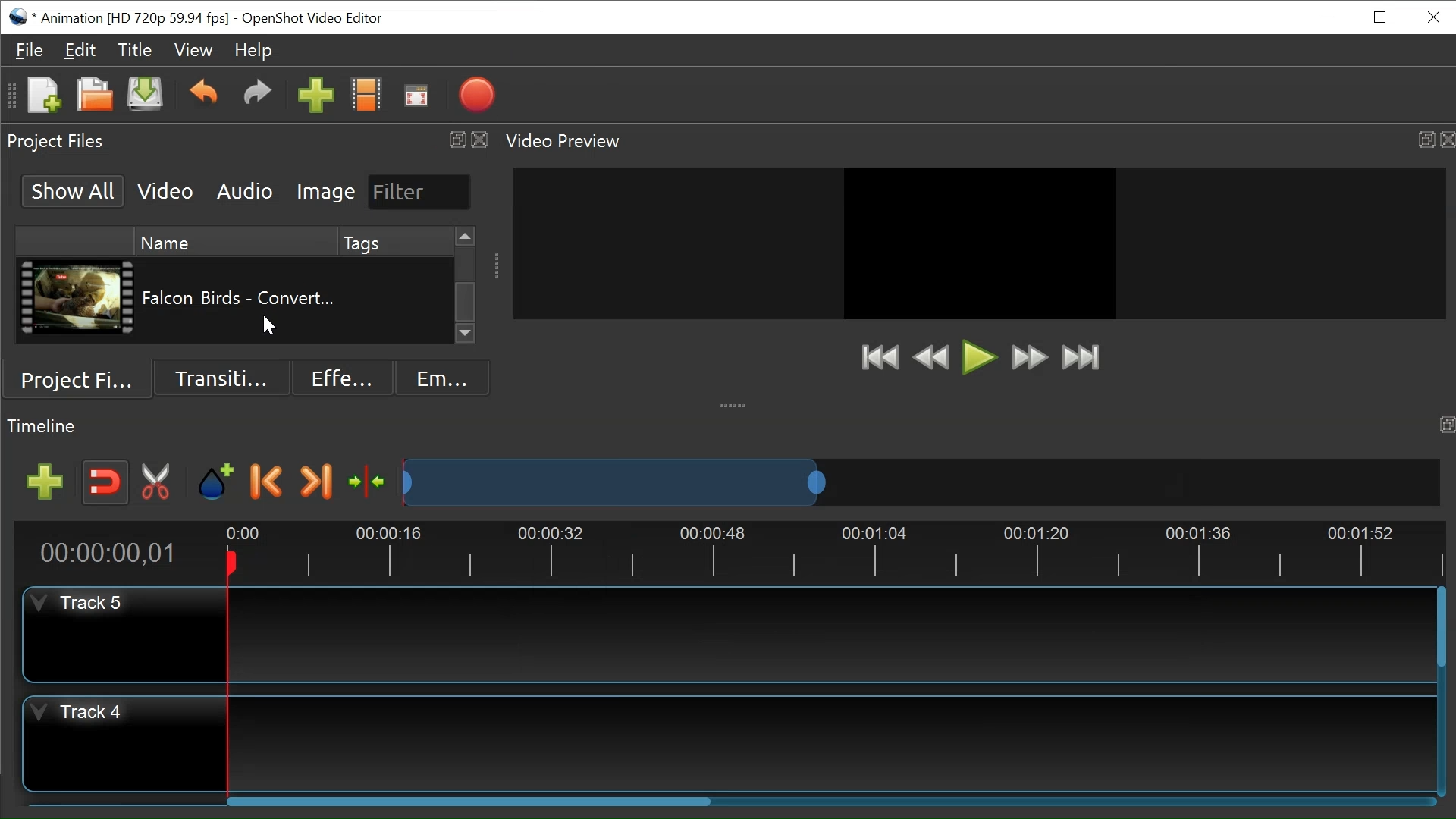 The image size is (1456, 819). What do you see at coordinates (271, 328) in the screenshot?
I see `Cursor` at bounding box center [271, 328].